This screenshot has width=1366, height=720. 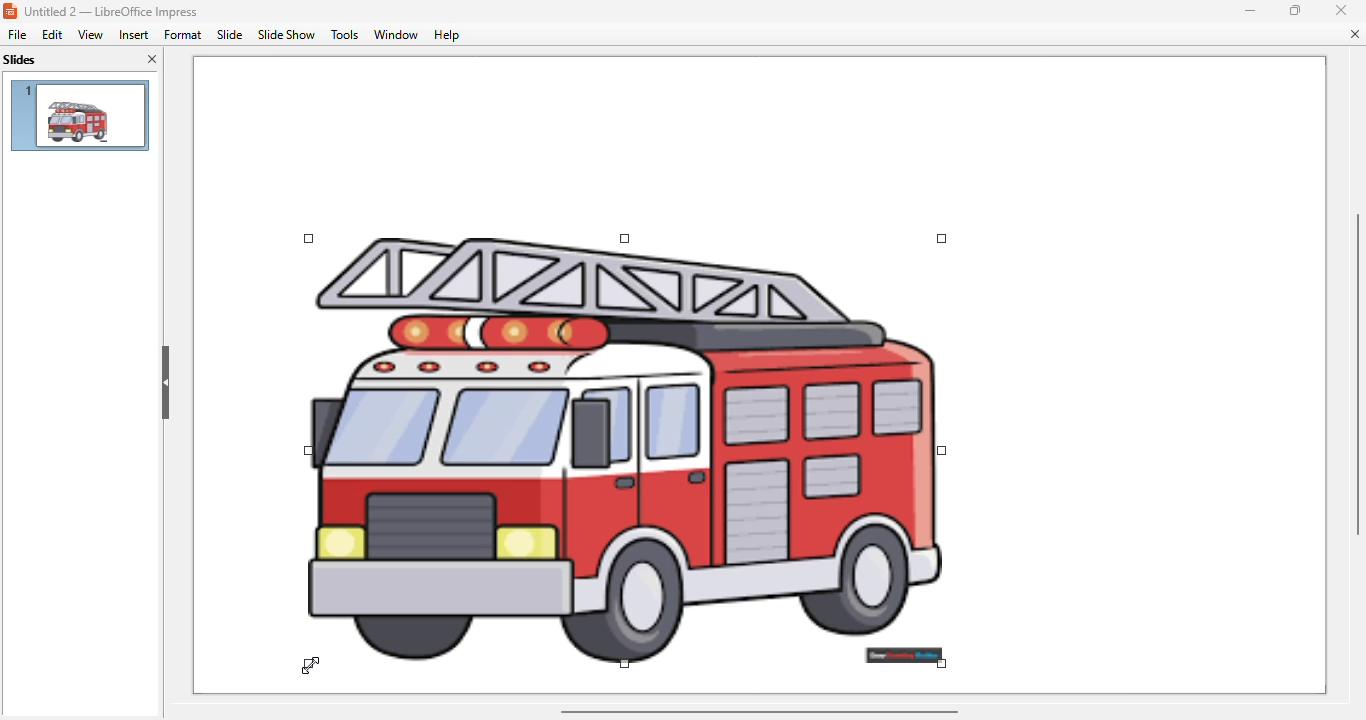 I want to click on maximize, so click(x=1297, y=9).